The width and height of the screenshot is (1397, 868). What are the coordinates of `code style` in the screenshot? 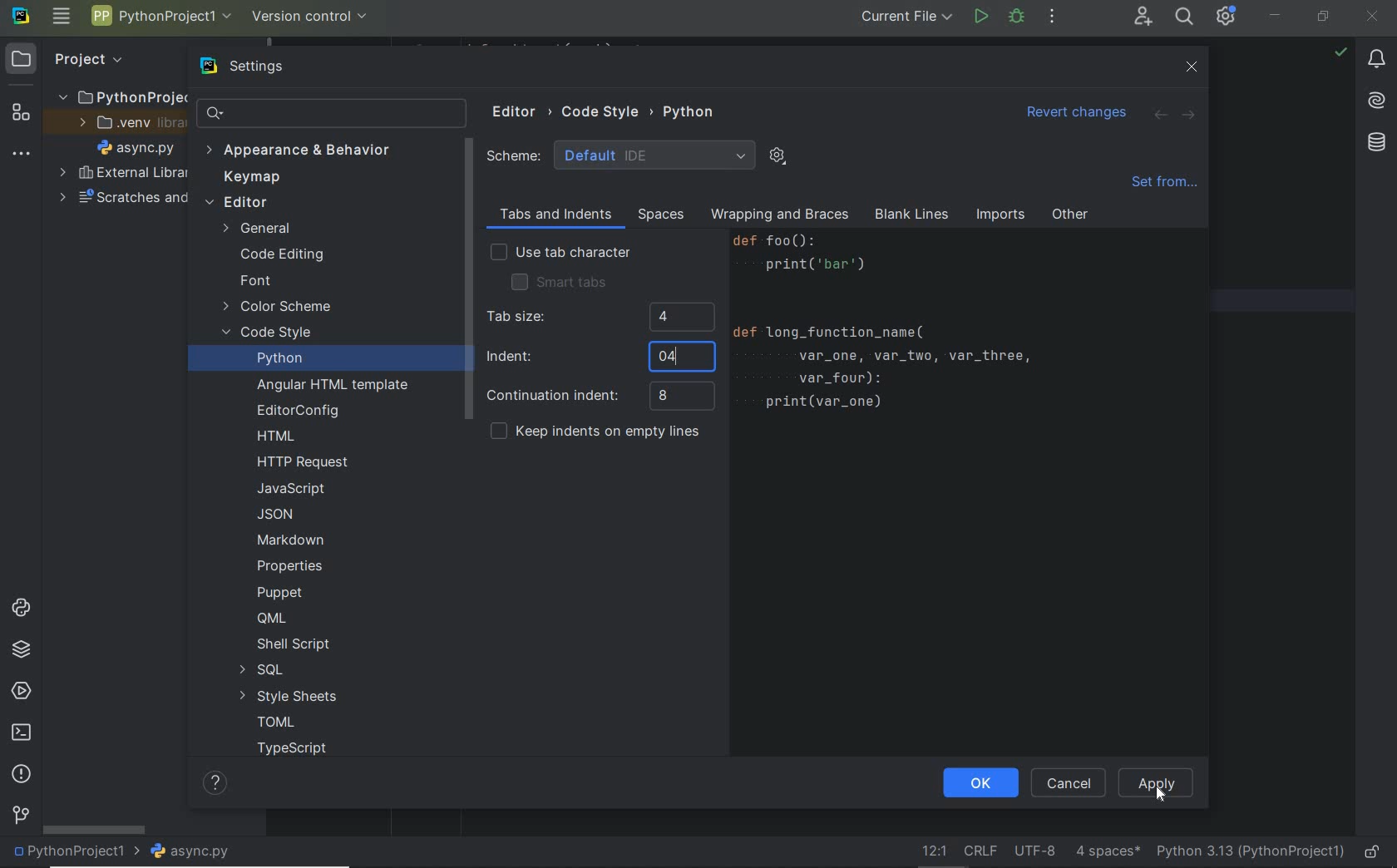 It's located at (269, 334).